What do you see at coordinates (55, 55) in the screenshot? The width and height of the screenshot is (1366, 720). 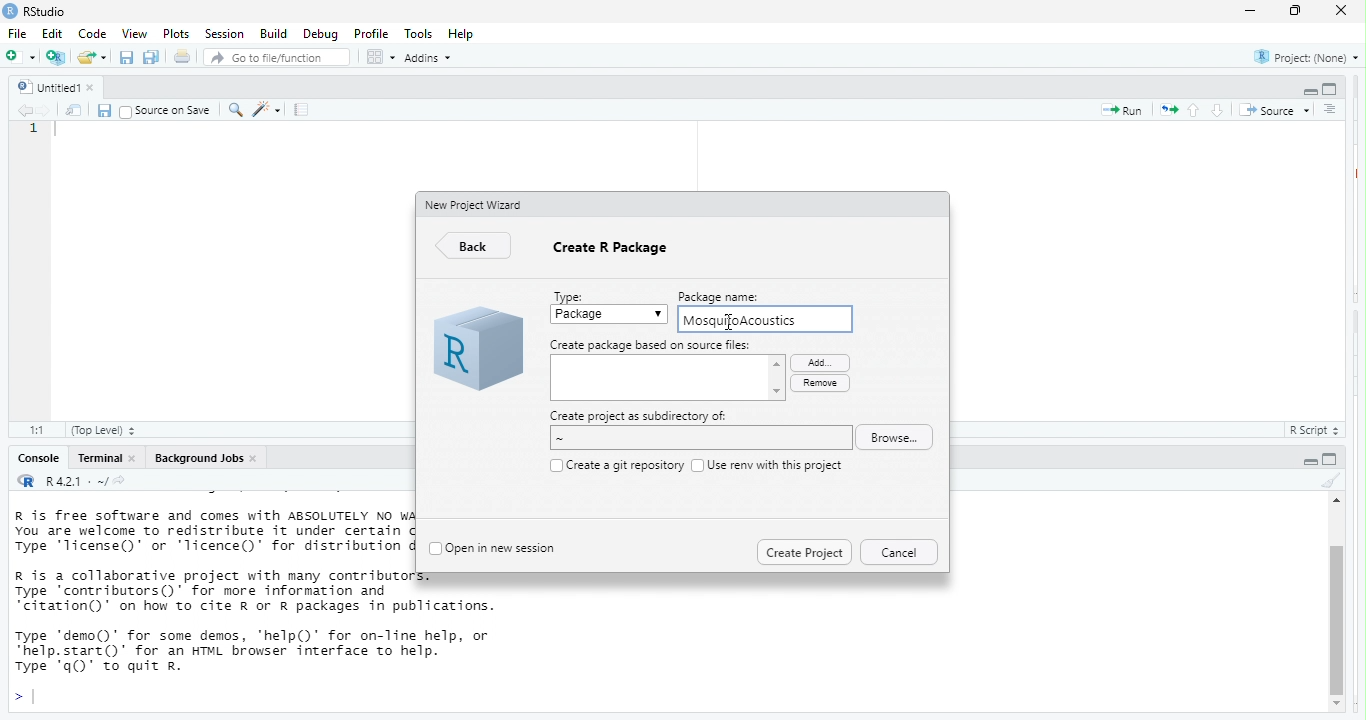 I see `create a project` at bounding box center [55, 55].